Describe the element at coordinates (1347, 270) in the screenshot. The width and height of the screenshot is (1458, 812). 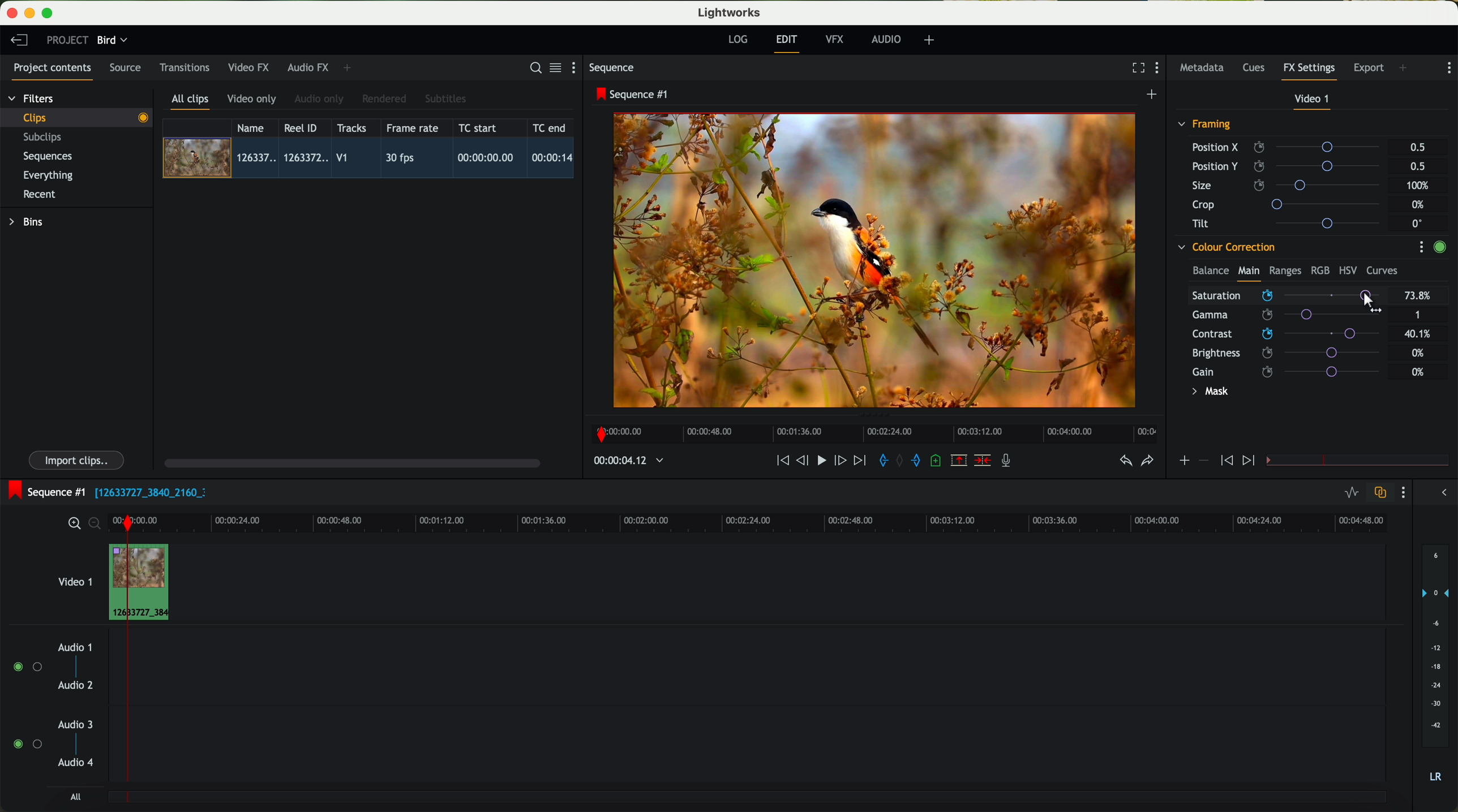
I see `HSV` at that location.